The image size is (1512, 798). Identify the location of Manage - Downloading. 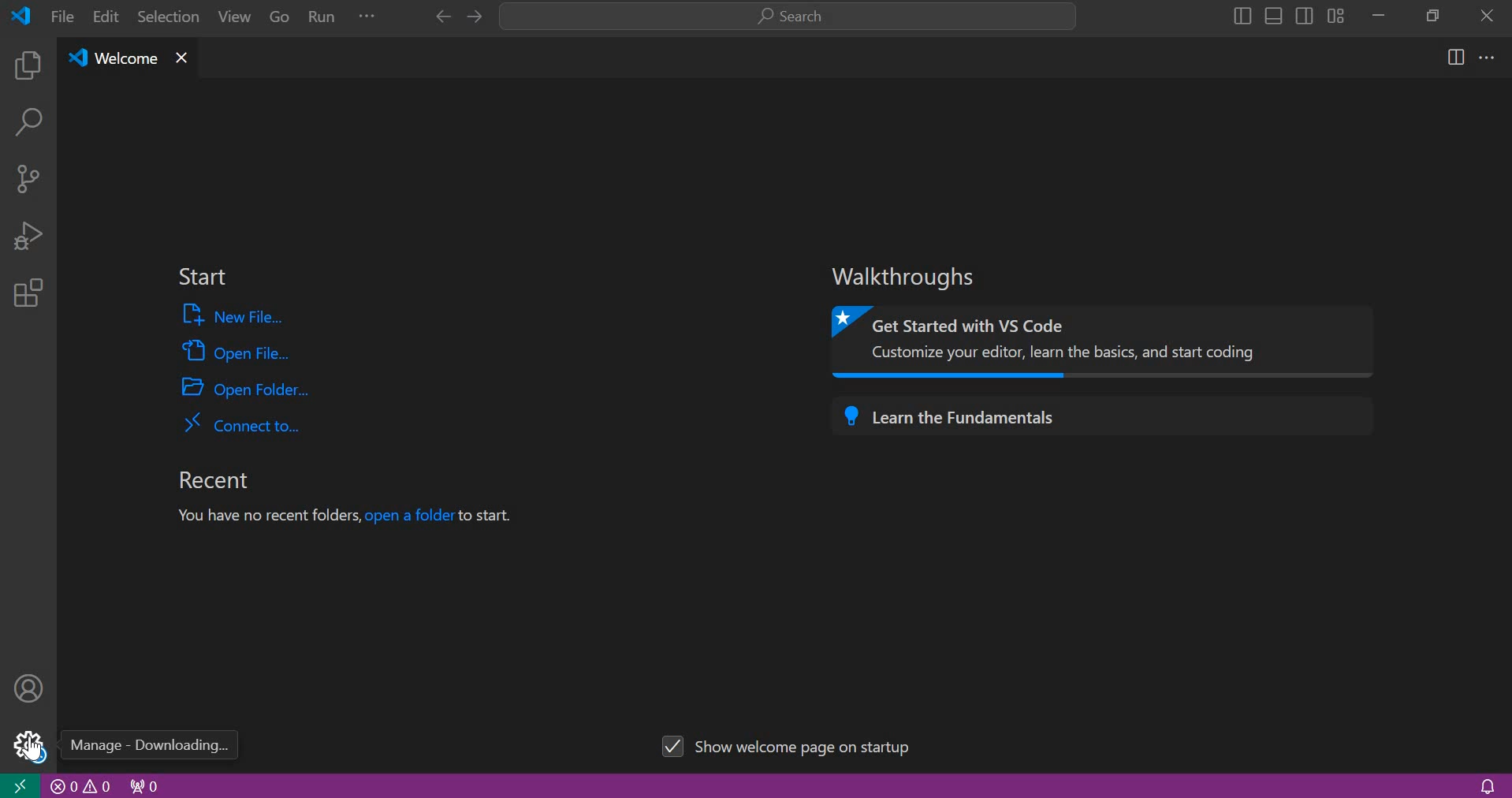
(150, 745).